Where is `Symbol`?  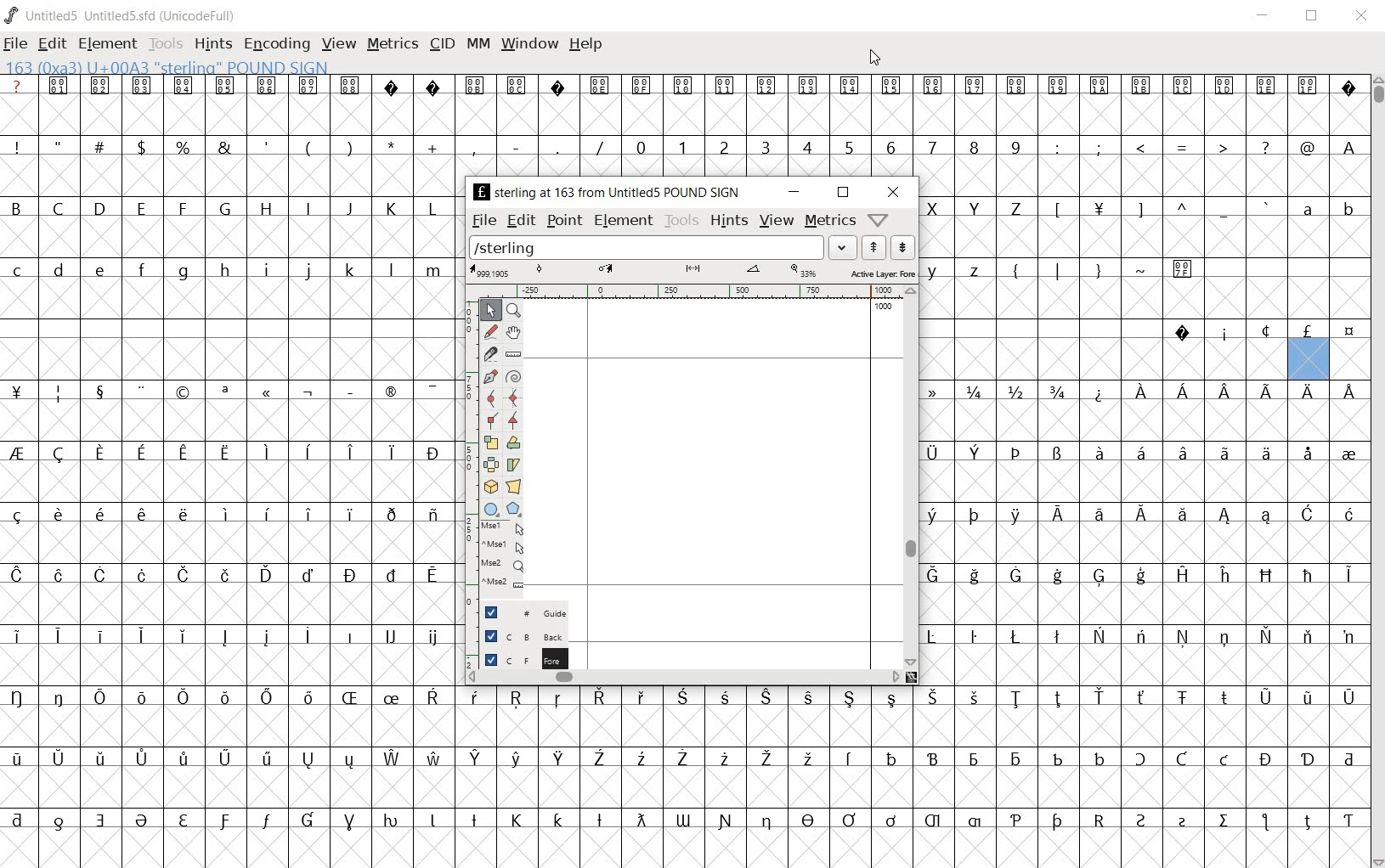
Symbol is located at coordinates (432, 516).